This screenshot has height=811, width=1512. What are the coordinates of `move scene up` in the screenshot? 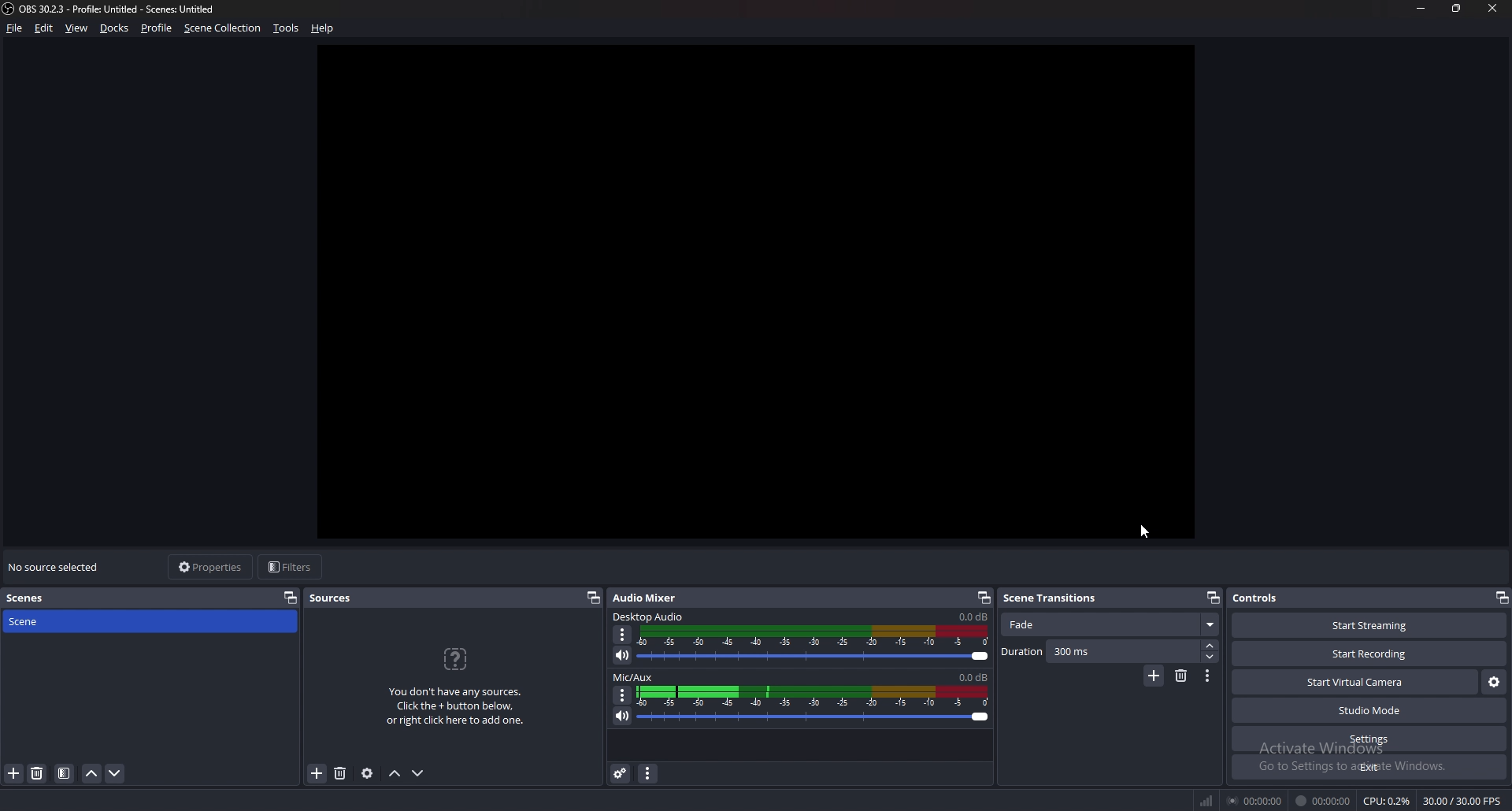 It's located at (93, 774).